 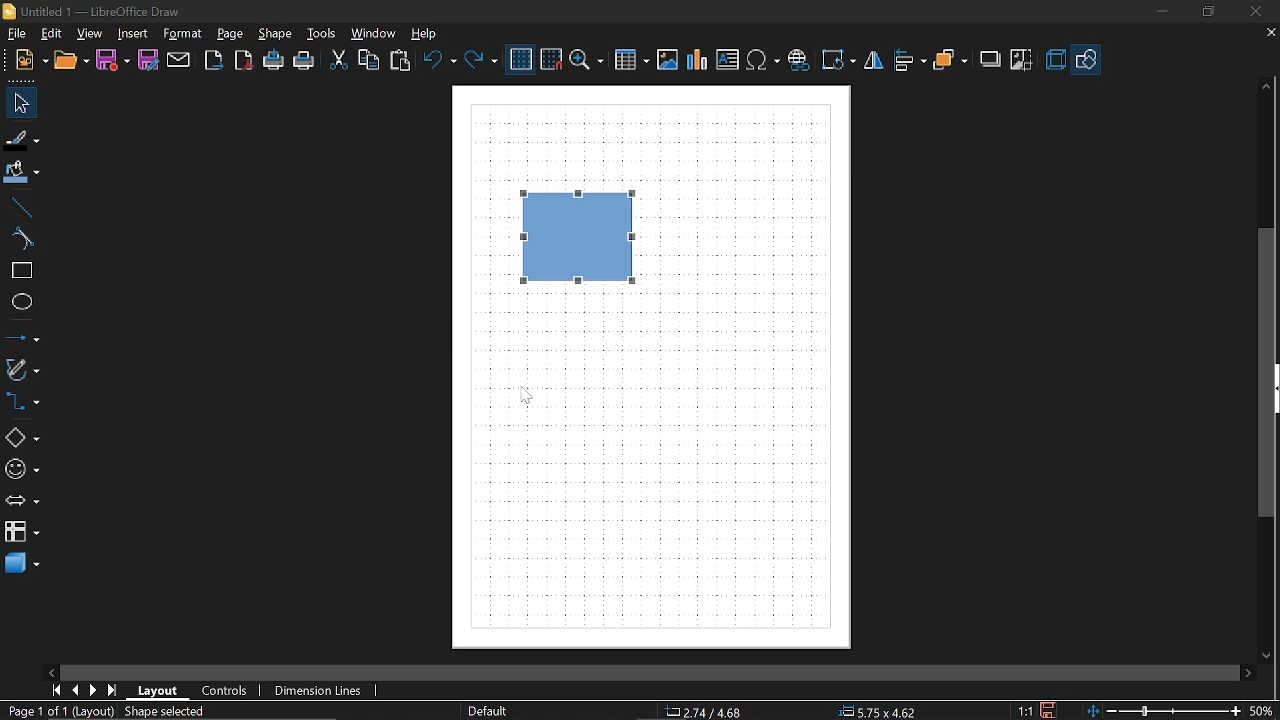 What do you see at coordinates (1085, 61) in the screenshot?
I see `Basic shapes` at bounding box center [1085, 61].